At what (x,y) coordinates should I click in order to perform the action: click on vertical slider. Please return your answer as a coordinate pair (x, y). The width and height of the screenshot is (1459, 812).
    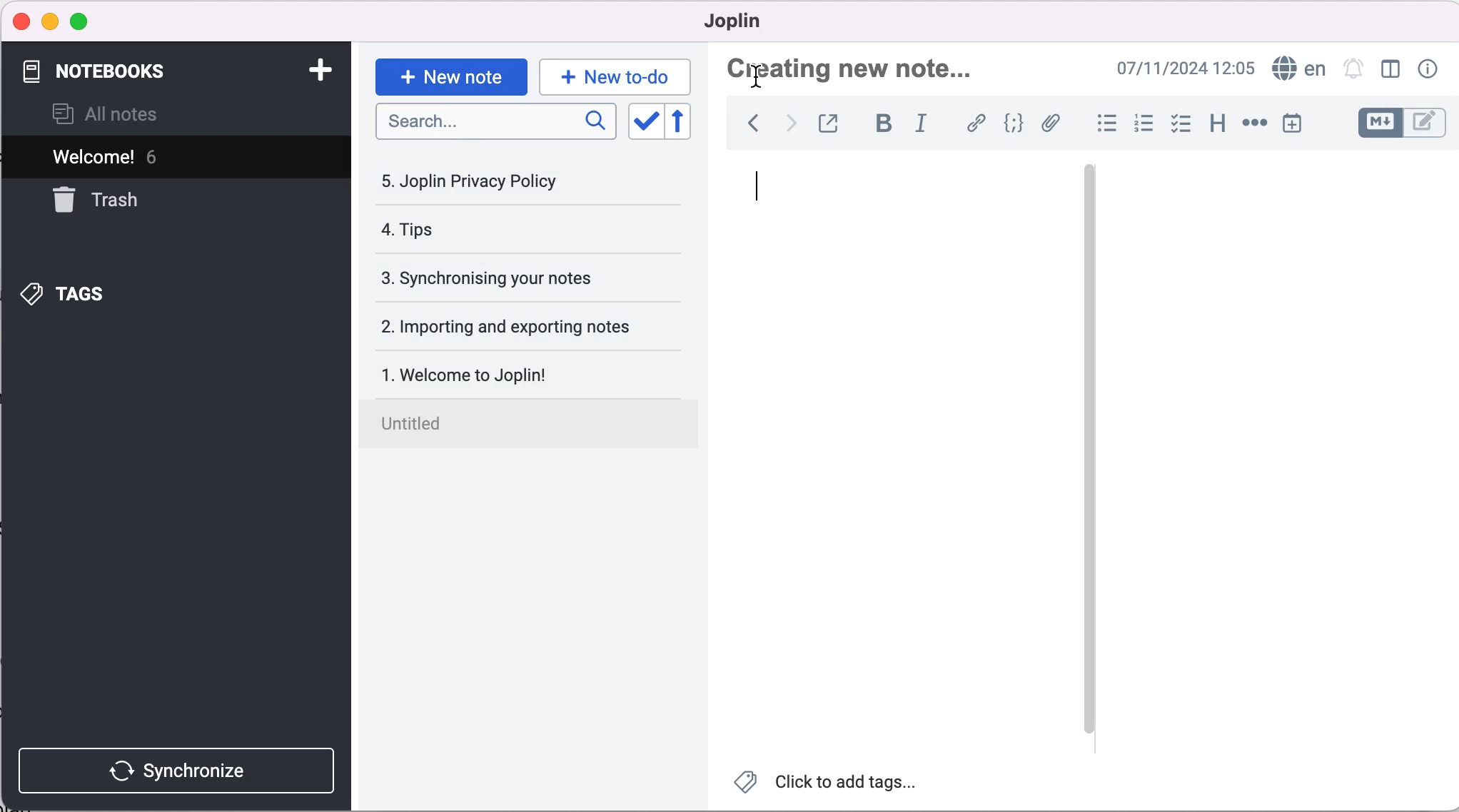
    Looking at the image, I should click on (1091, 199).